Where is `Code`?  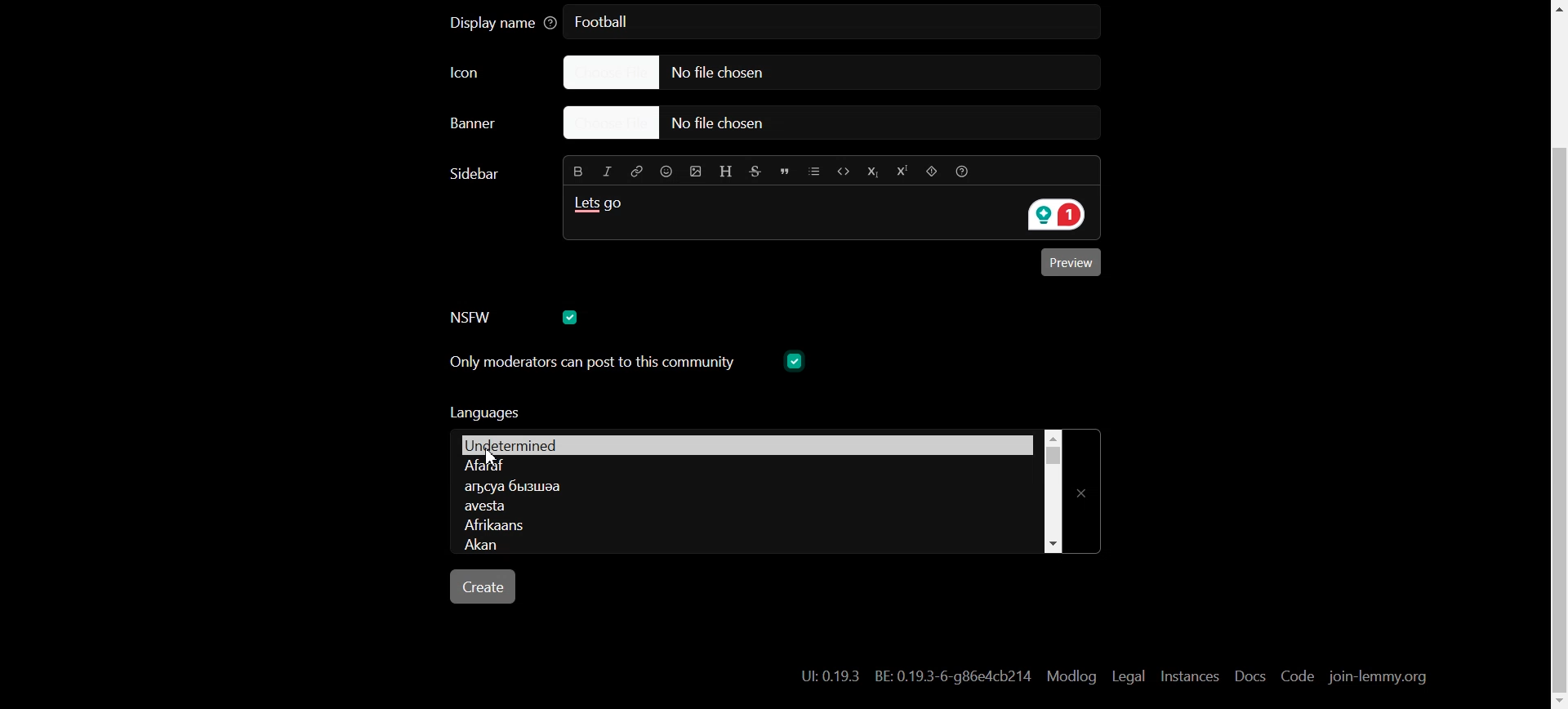
Code is located at coordinates (1296, 677).